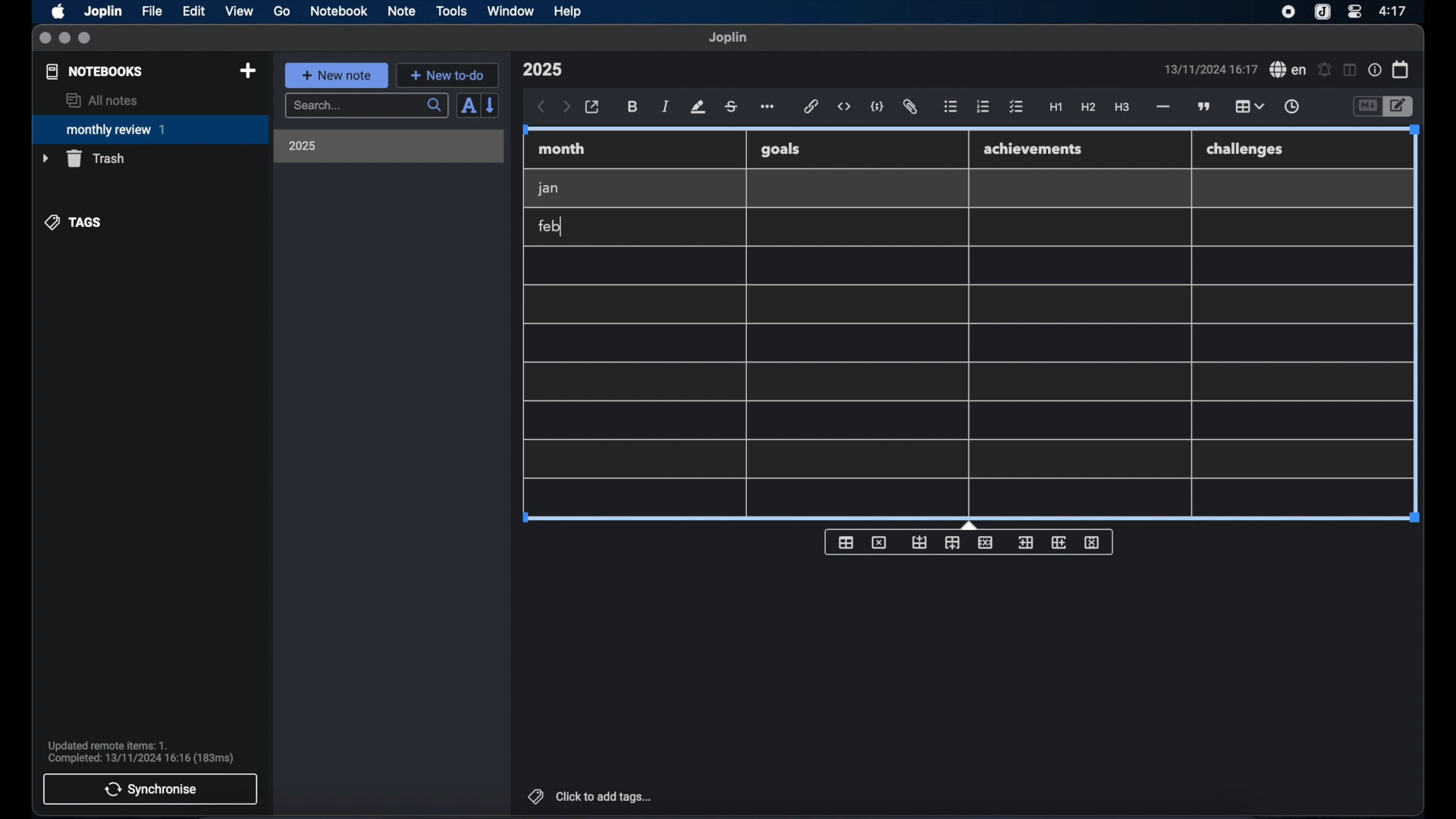  Describe the element at coordinates (57, 11) in the screenshot. I see `apple icon` at that location.